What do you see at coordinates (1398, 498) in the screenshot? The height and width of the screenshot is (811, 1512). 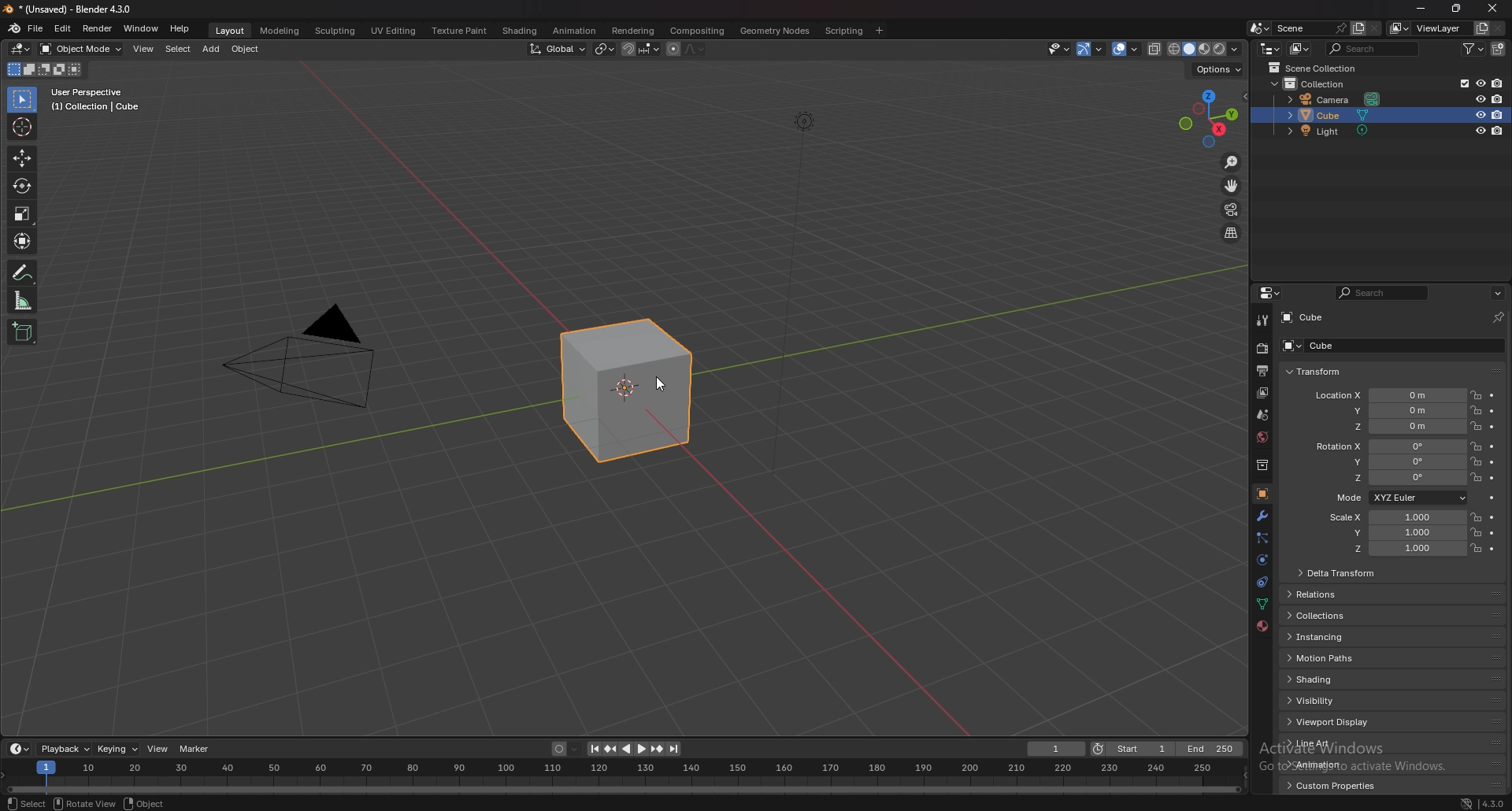 I see `mode` at bounding box center [1398, 498].